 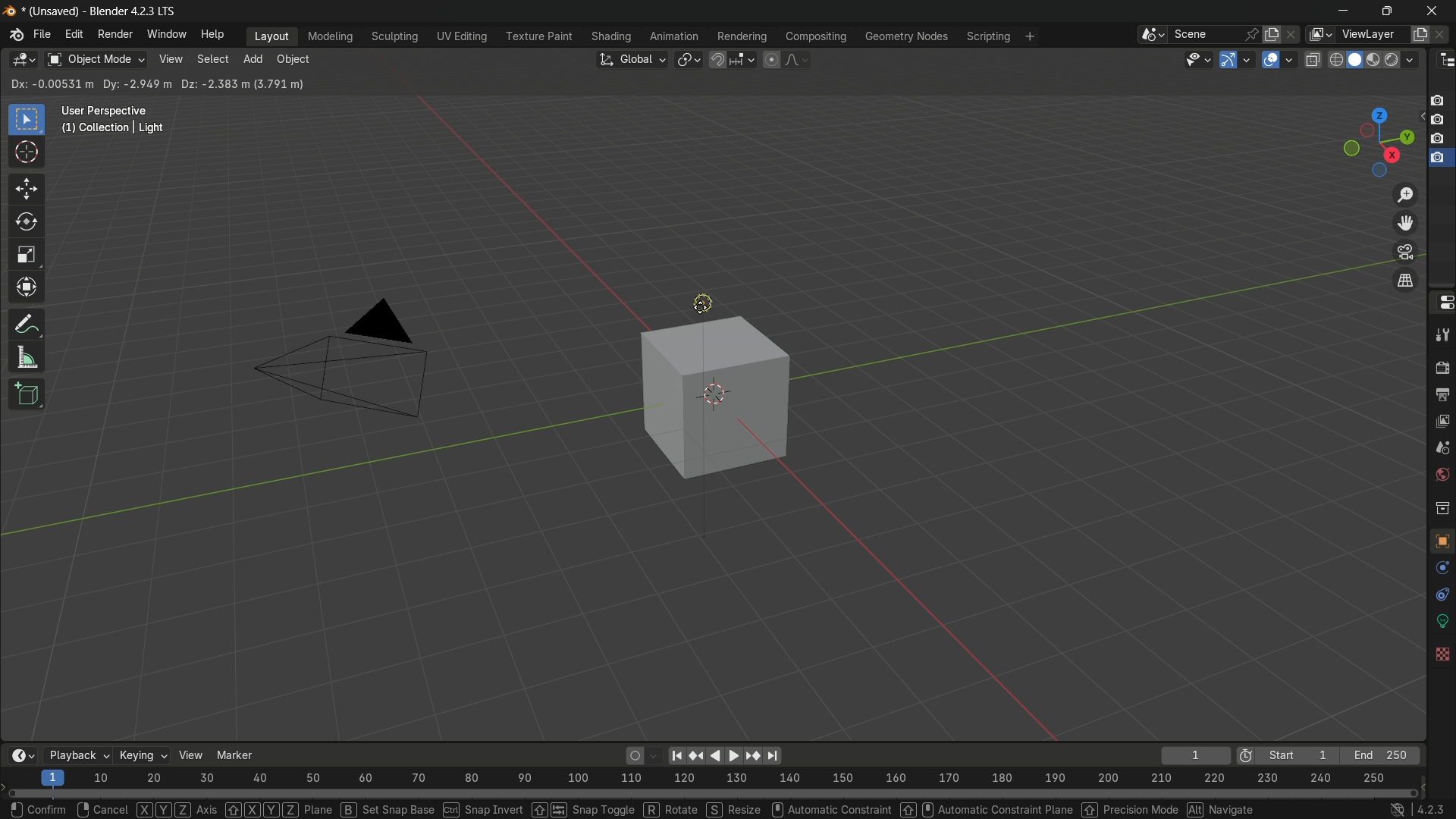 What do you see at coordinates (1250, 59) in the screenshot?
I see `gizmos` at bounding box center [1250, 59].